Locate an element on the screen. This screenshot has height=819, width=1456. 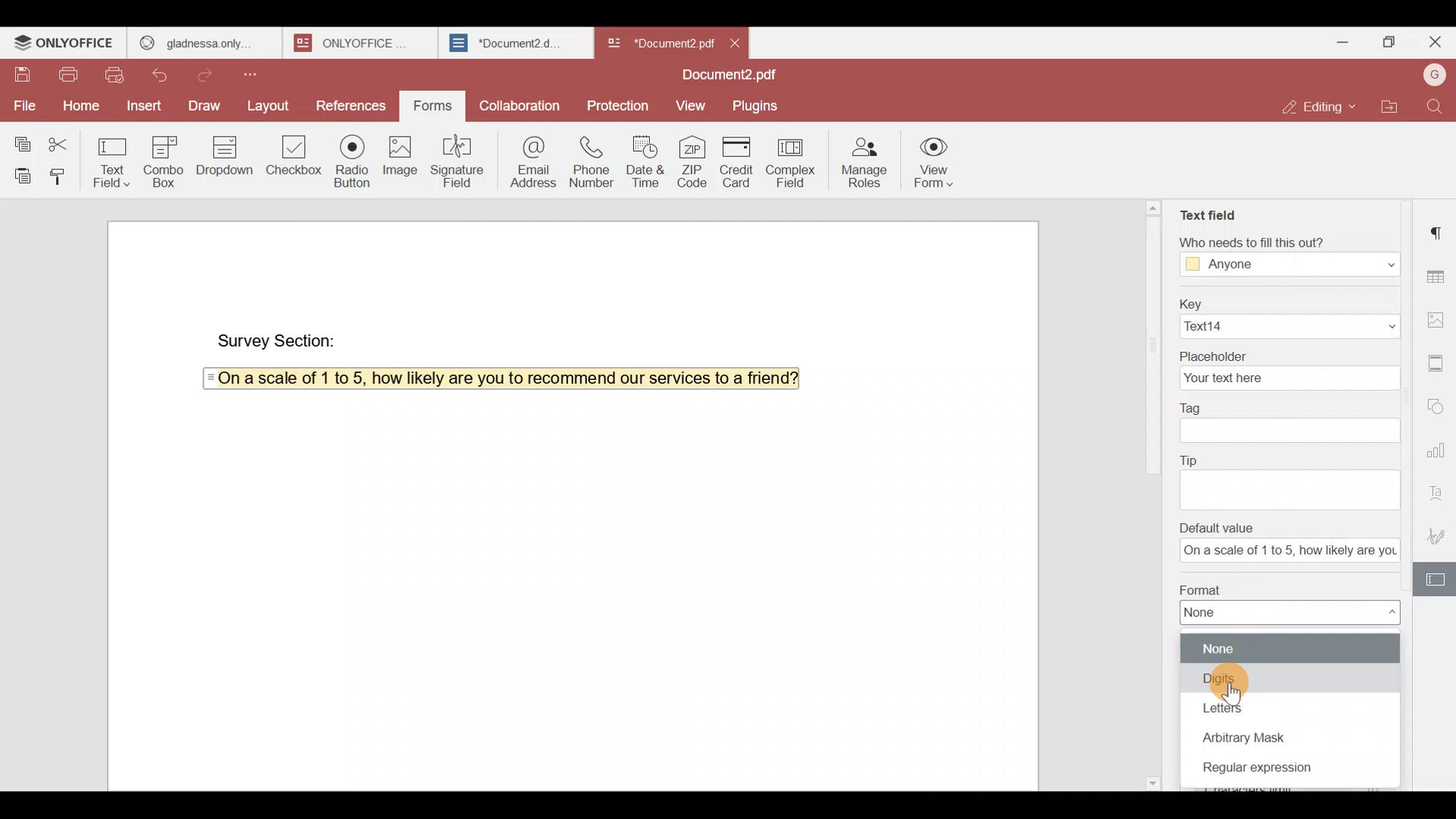
Close is located at coordinates (736, 42).